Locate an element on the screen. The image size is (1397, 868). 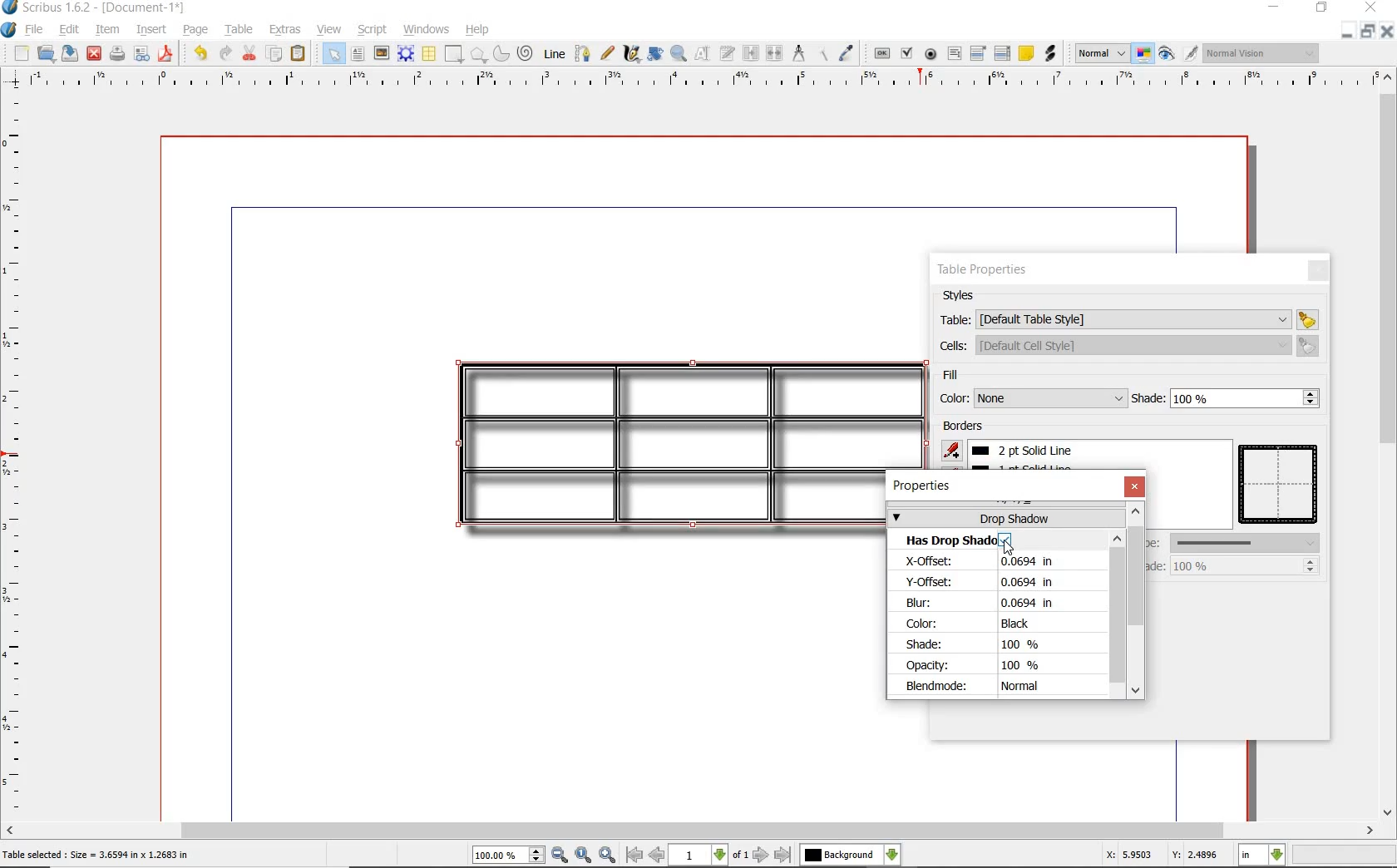
save is located at coordinates (69, 53).